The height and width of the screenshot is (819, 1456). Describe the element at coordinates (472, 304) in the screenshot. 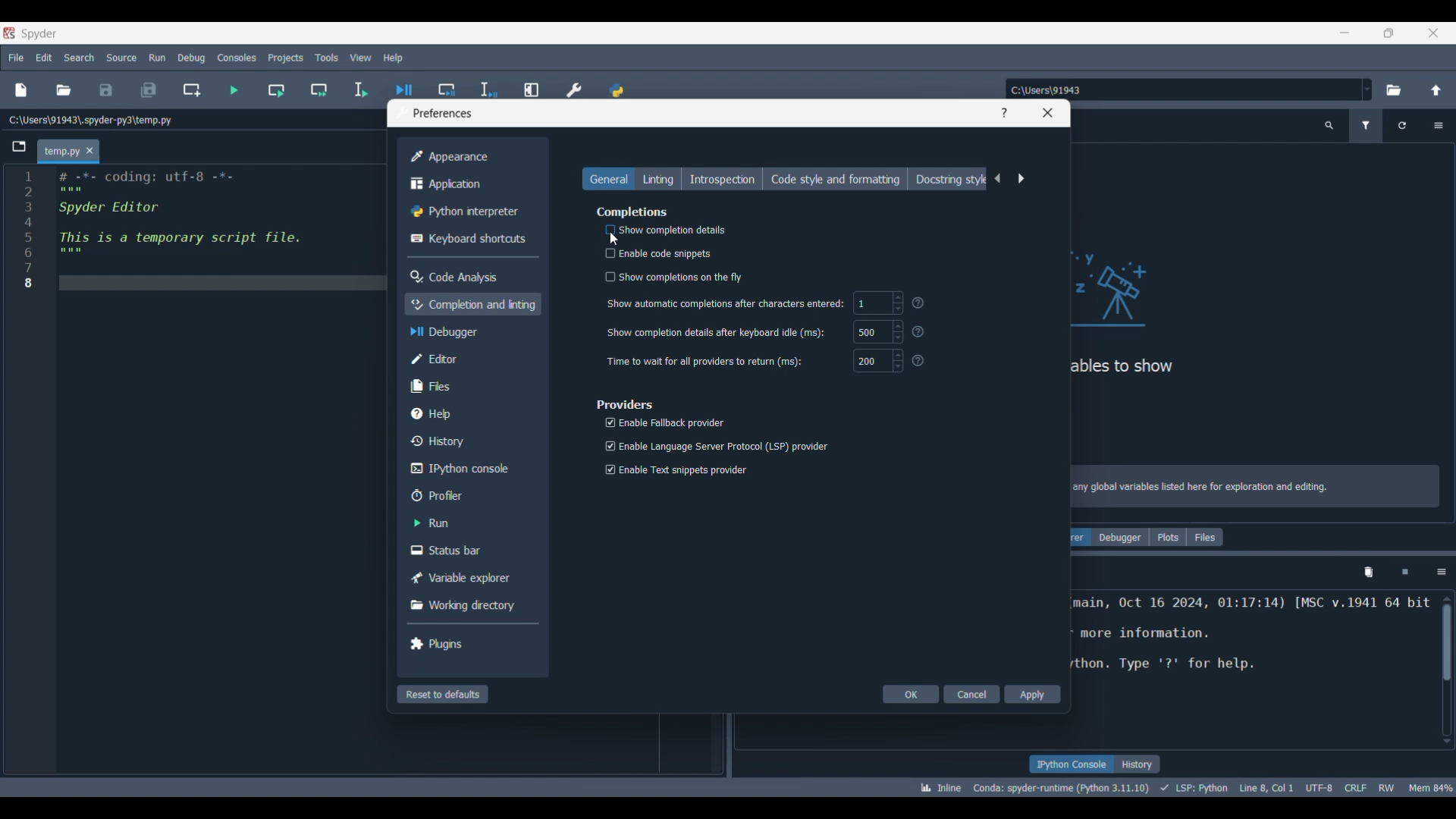

I see `Completion and linting, current selection highlighted` at that location.